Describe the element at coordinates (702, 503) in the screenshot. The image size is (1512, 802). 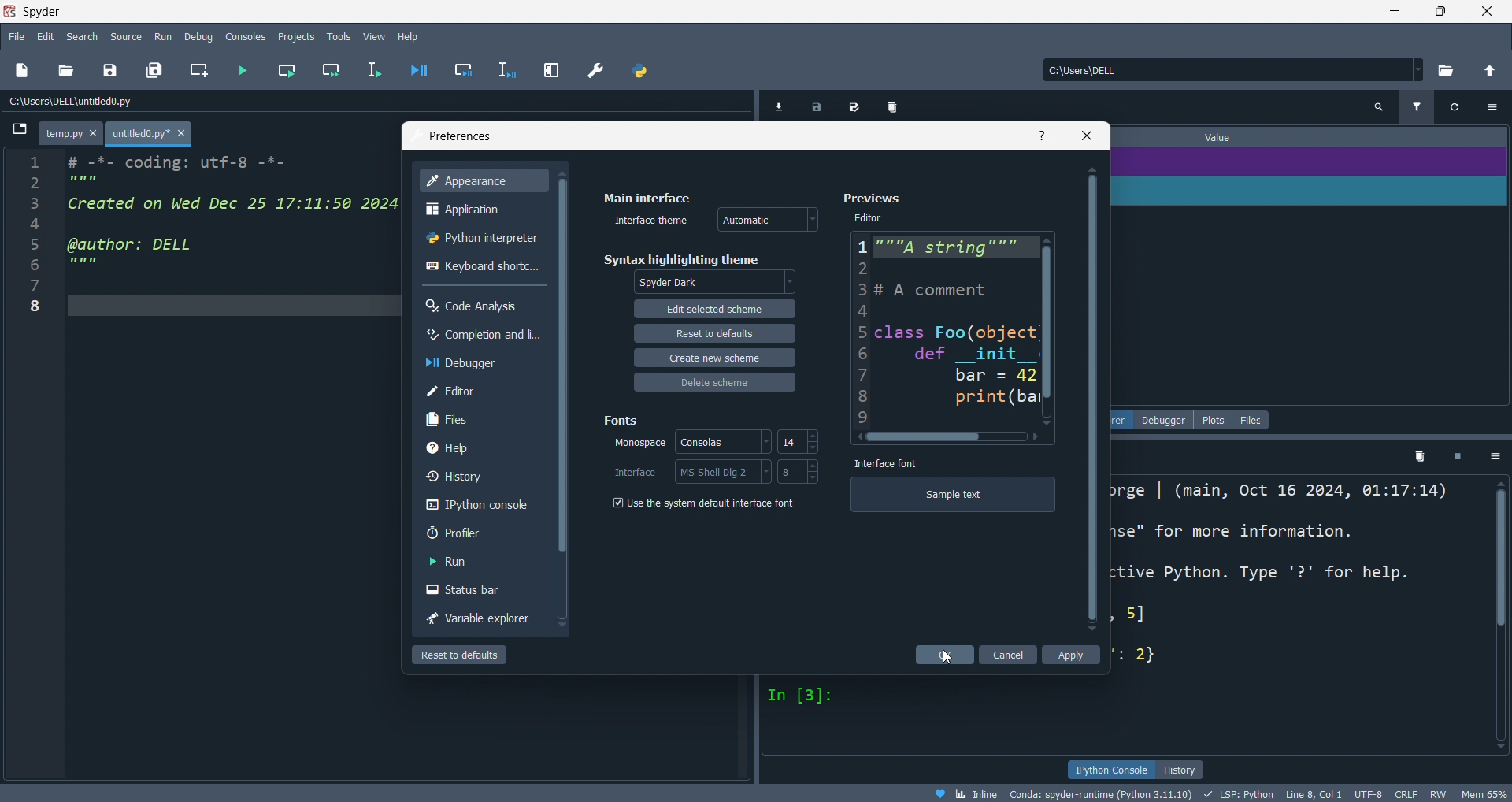
I see `Use the system default interface font` at that location.